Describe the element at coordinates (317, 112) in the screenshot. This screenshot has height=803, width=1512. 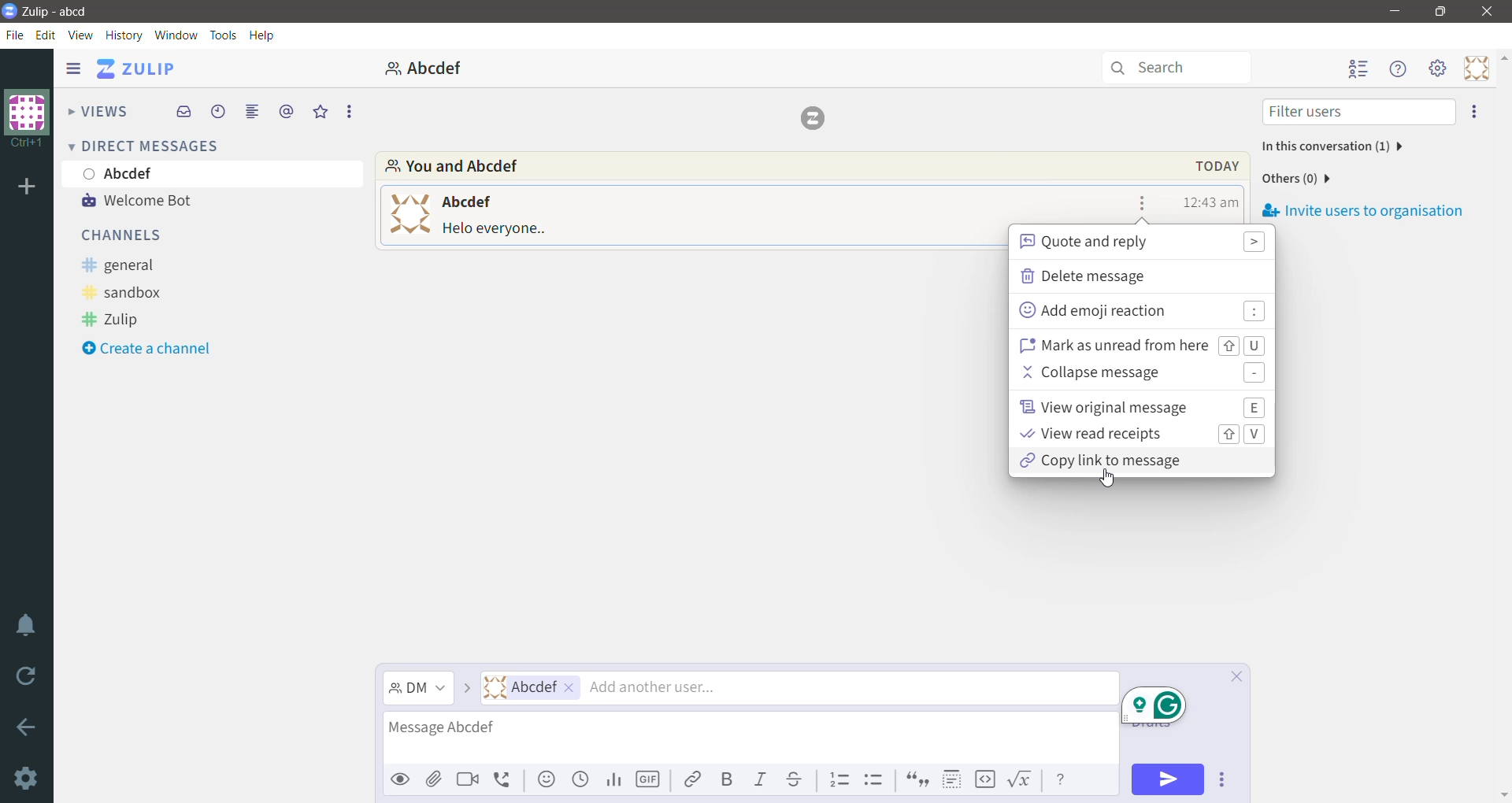
I see `Starred Messages` at that location.